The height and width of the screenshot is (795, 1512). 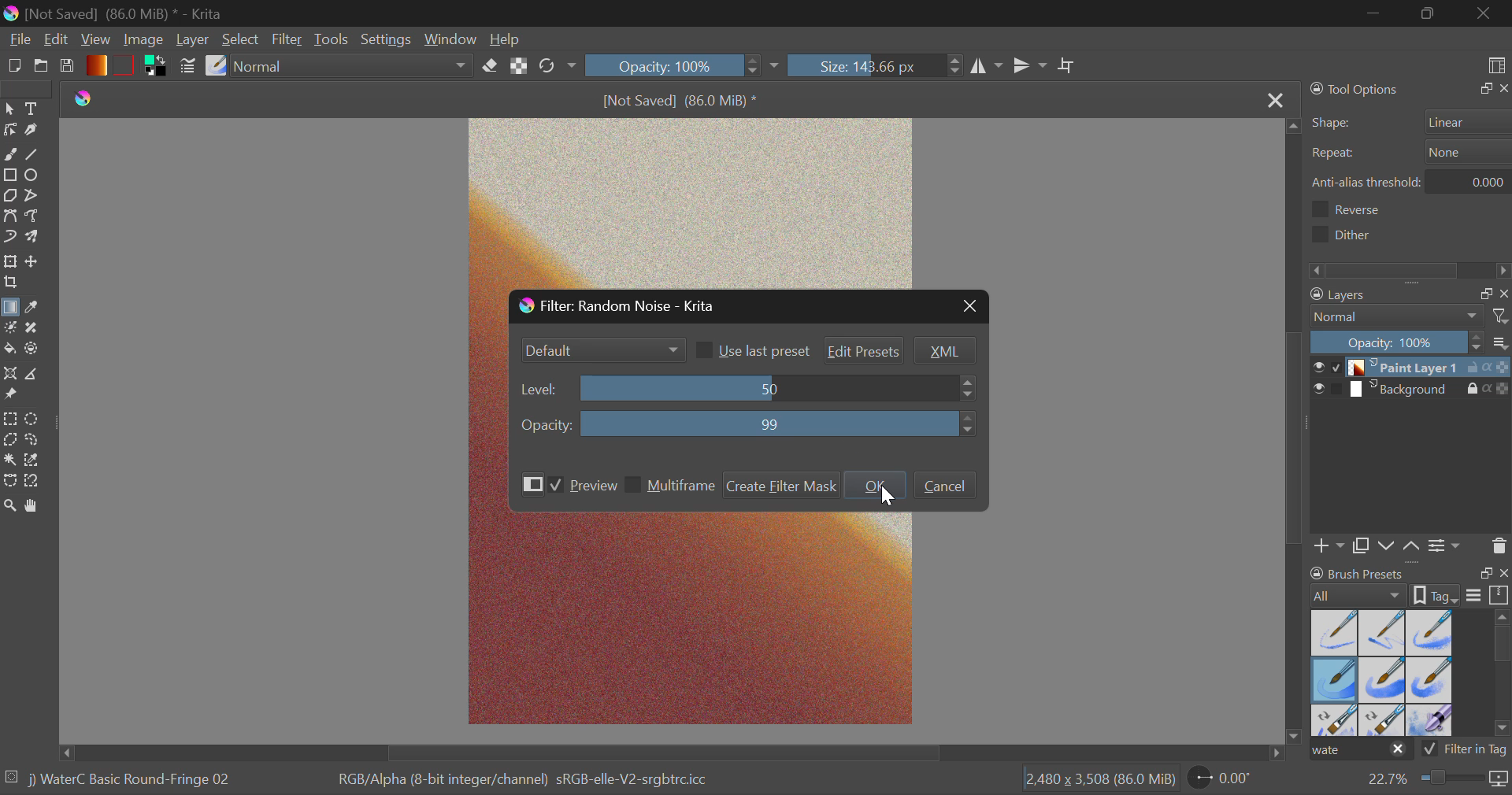 I want to click on Polygon, so click(x=9, y=195).